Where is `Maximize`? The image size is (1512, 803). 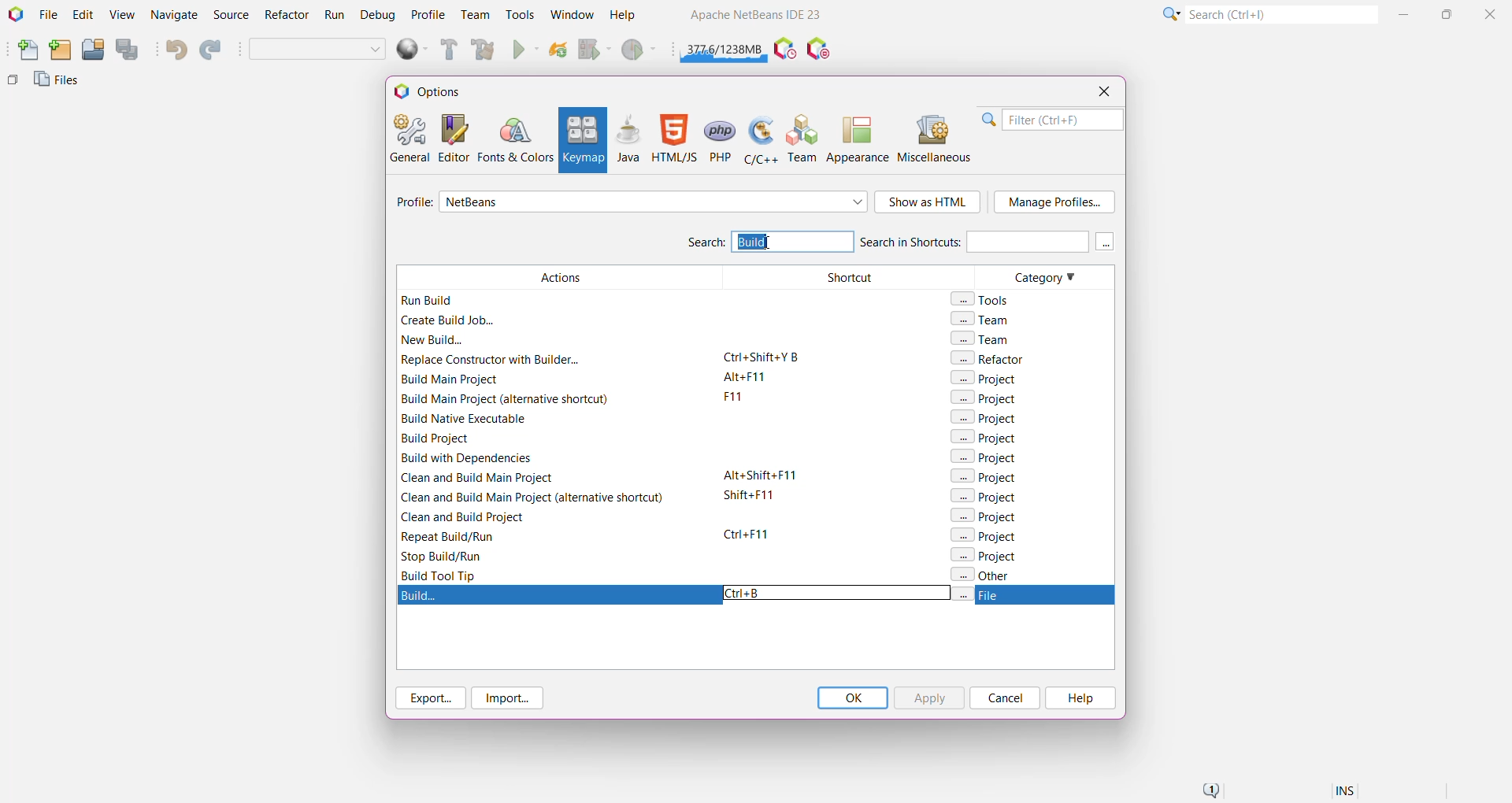
Maximize is located at coordinates (1449, 13).